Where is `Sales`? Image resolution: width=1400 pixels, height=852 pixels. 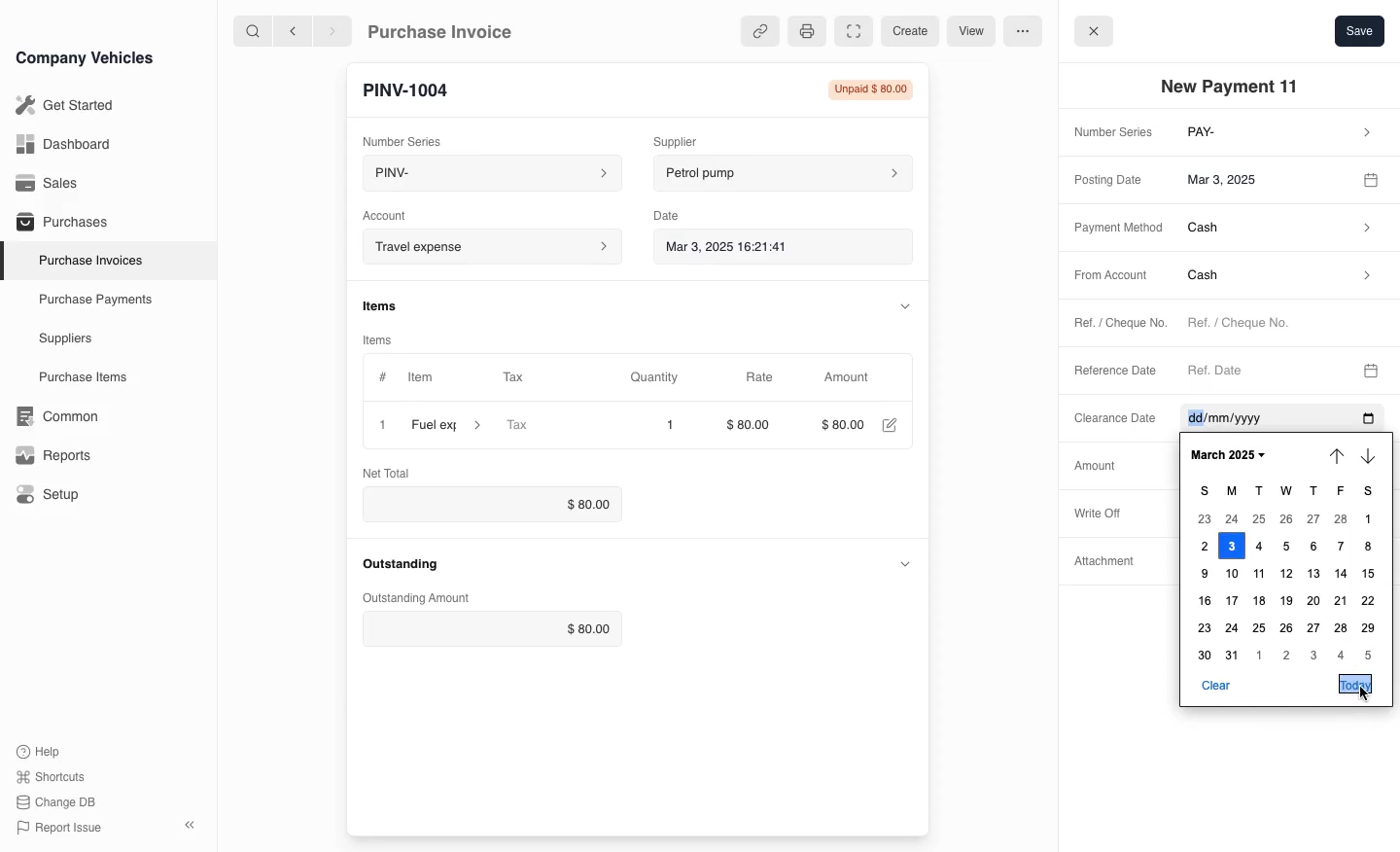 Sales is located at coordinates (48, 183).